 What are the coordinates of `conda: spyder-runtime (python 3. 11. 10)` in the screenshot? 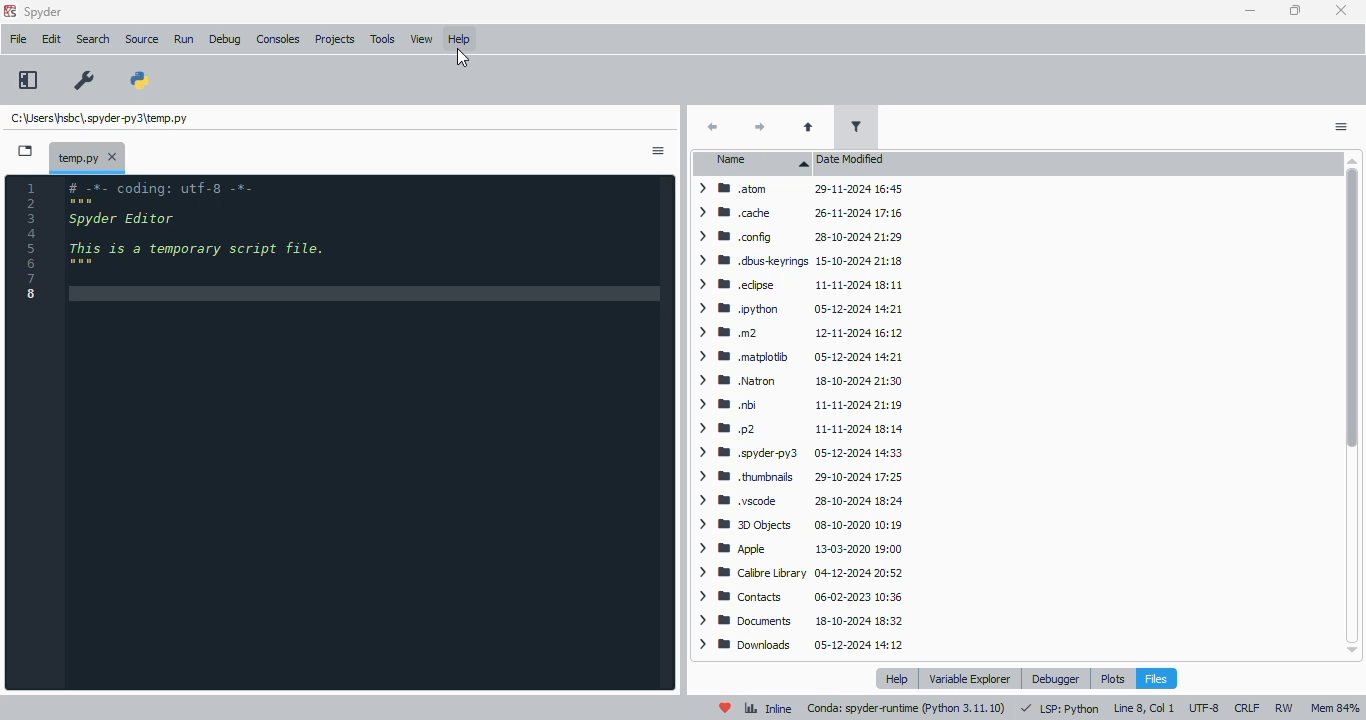 It's located at (906, 708).